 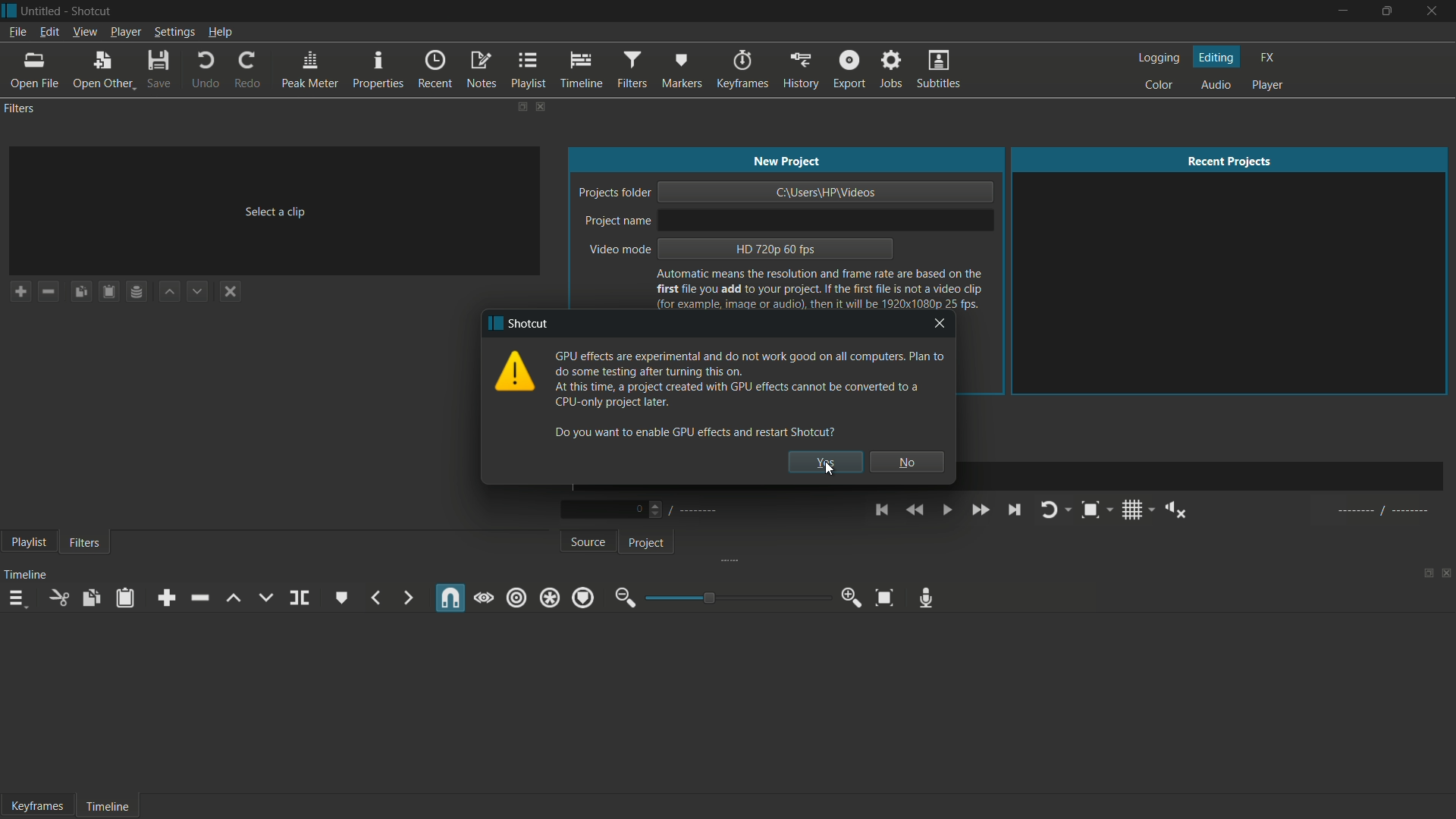 What do you see at coordinates (172, 33) in the screenshot?
I see `settings menu` at bounding box center [172, 33].